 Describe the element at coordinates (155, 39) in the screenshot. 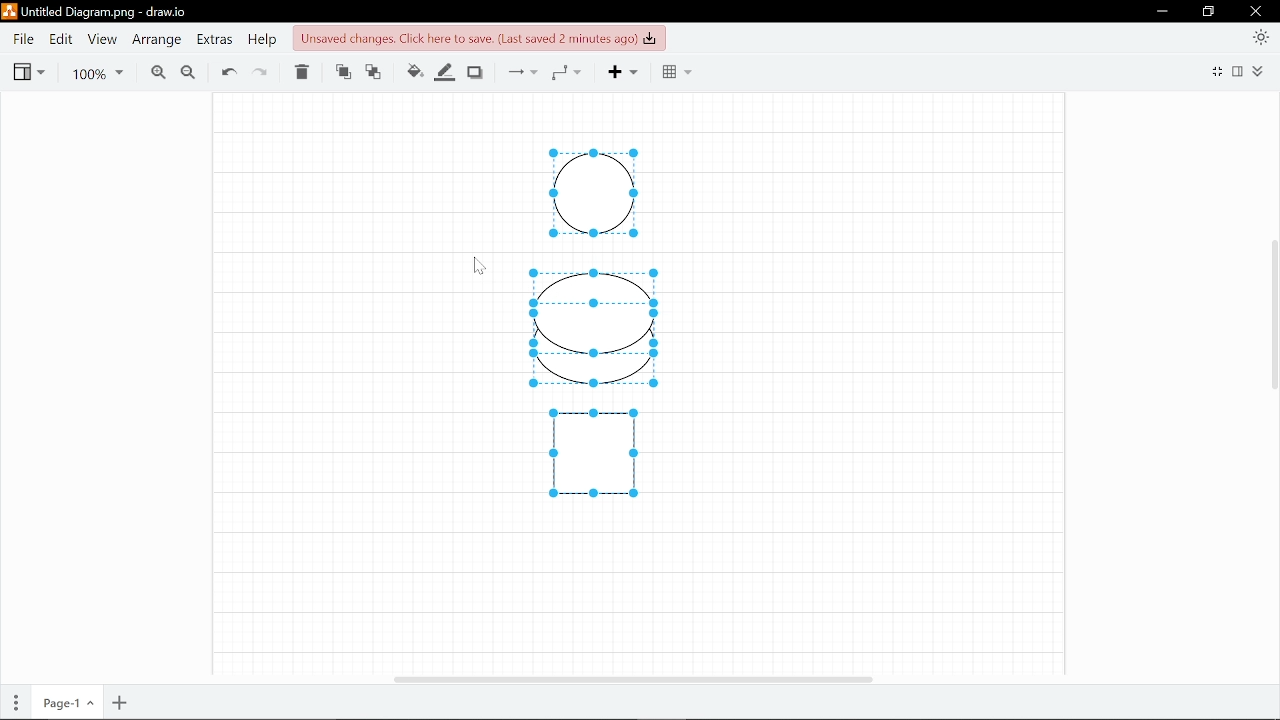

I see `Arrange` at that location.